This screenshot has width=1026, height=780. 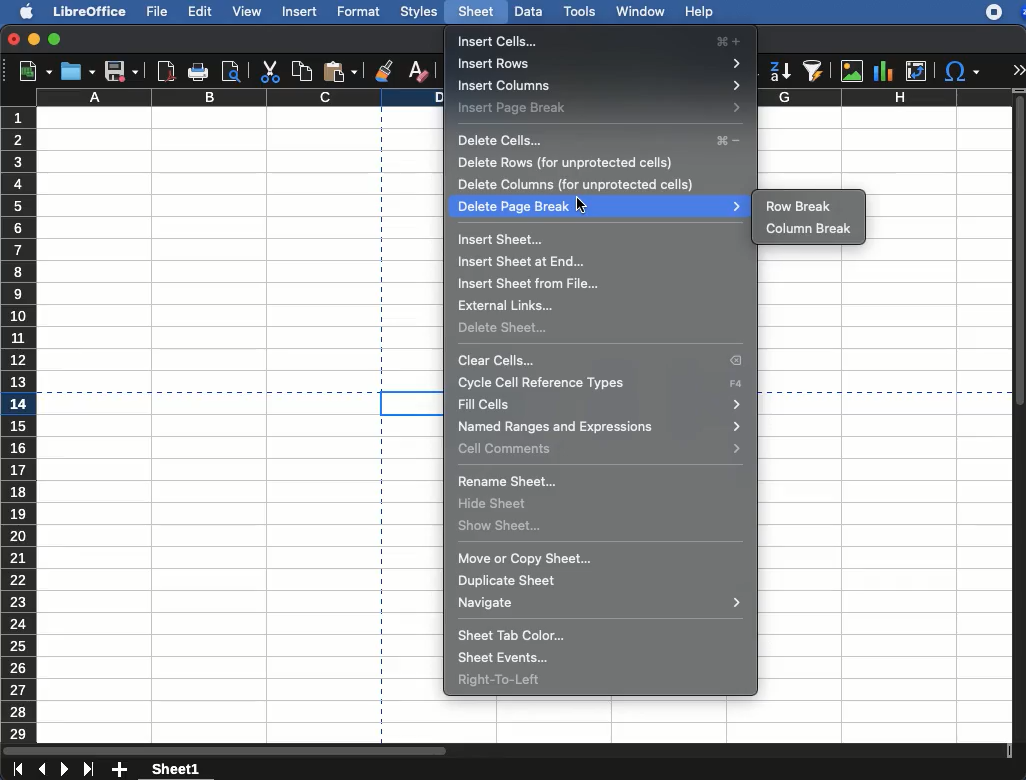 What do you see at coordinates (155, 11) in the screenshot?
I see `file` at bounding box center [155, 11].